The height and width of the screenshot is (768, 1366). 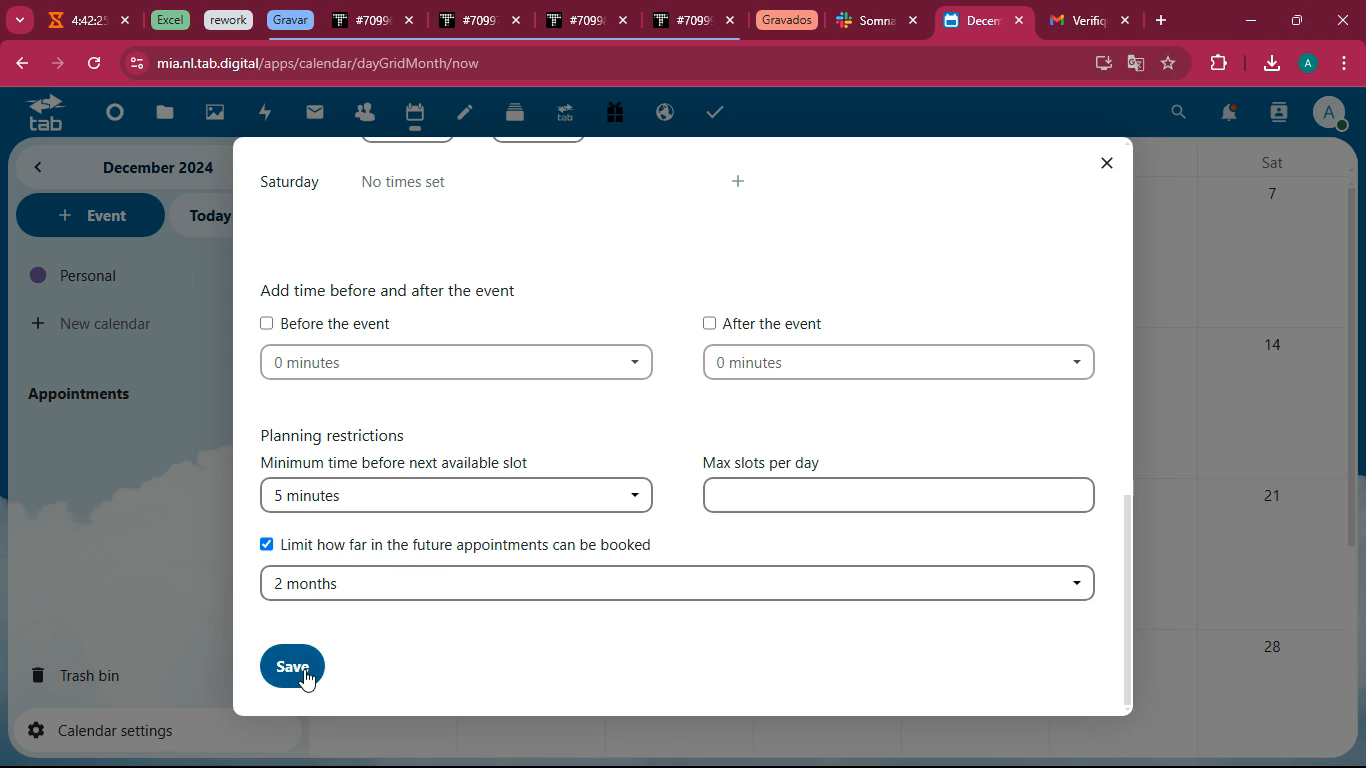 I want to click on event, so click(x=88, y=215).